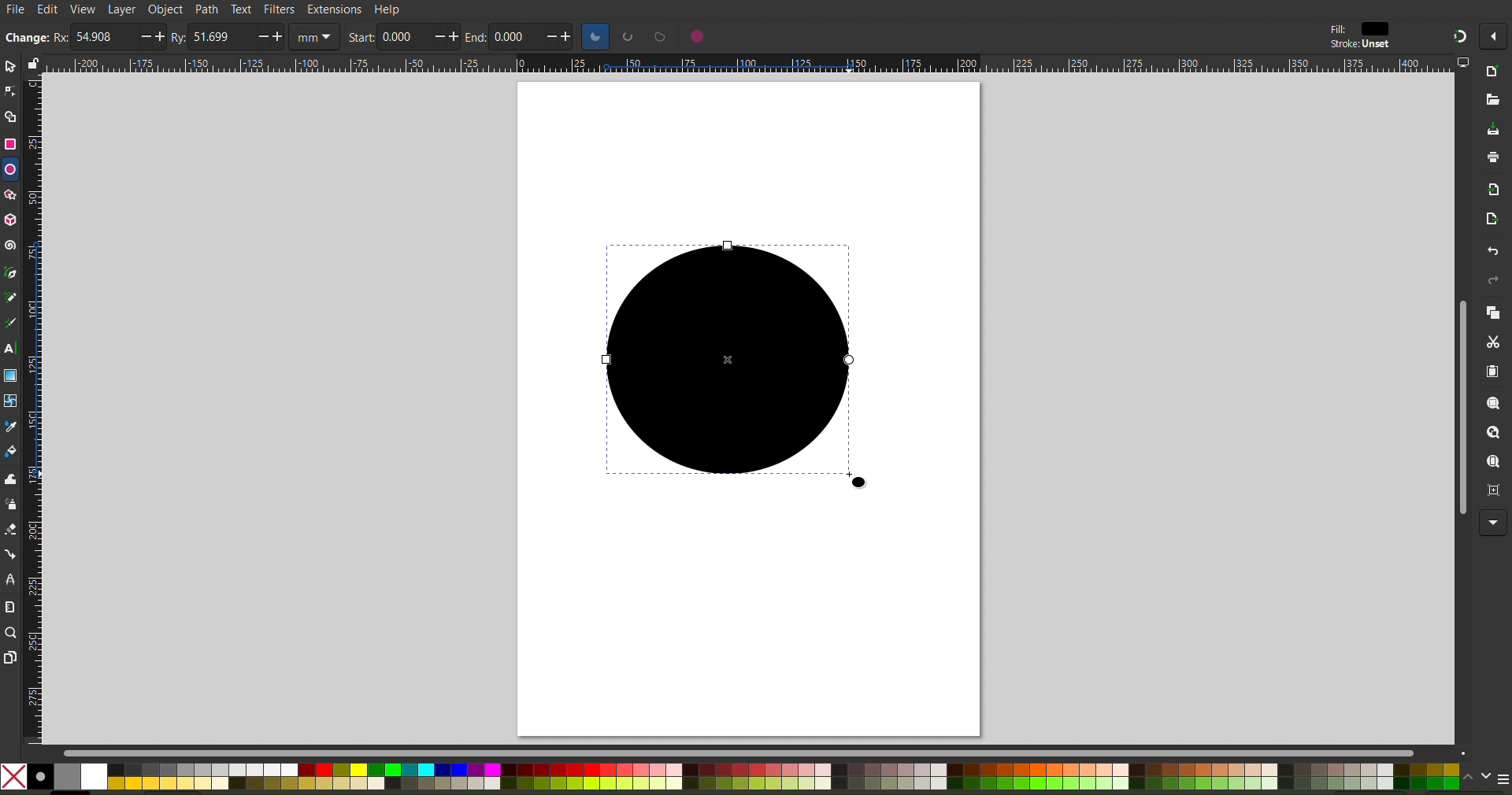 The height and width of the screenshot is (795, 1512). I want to click on Pencil Tool, so click(10, 298).